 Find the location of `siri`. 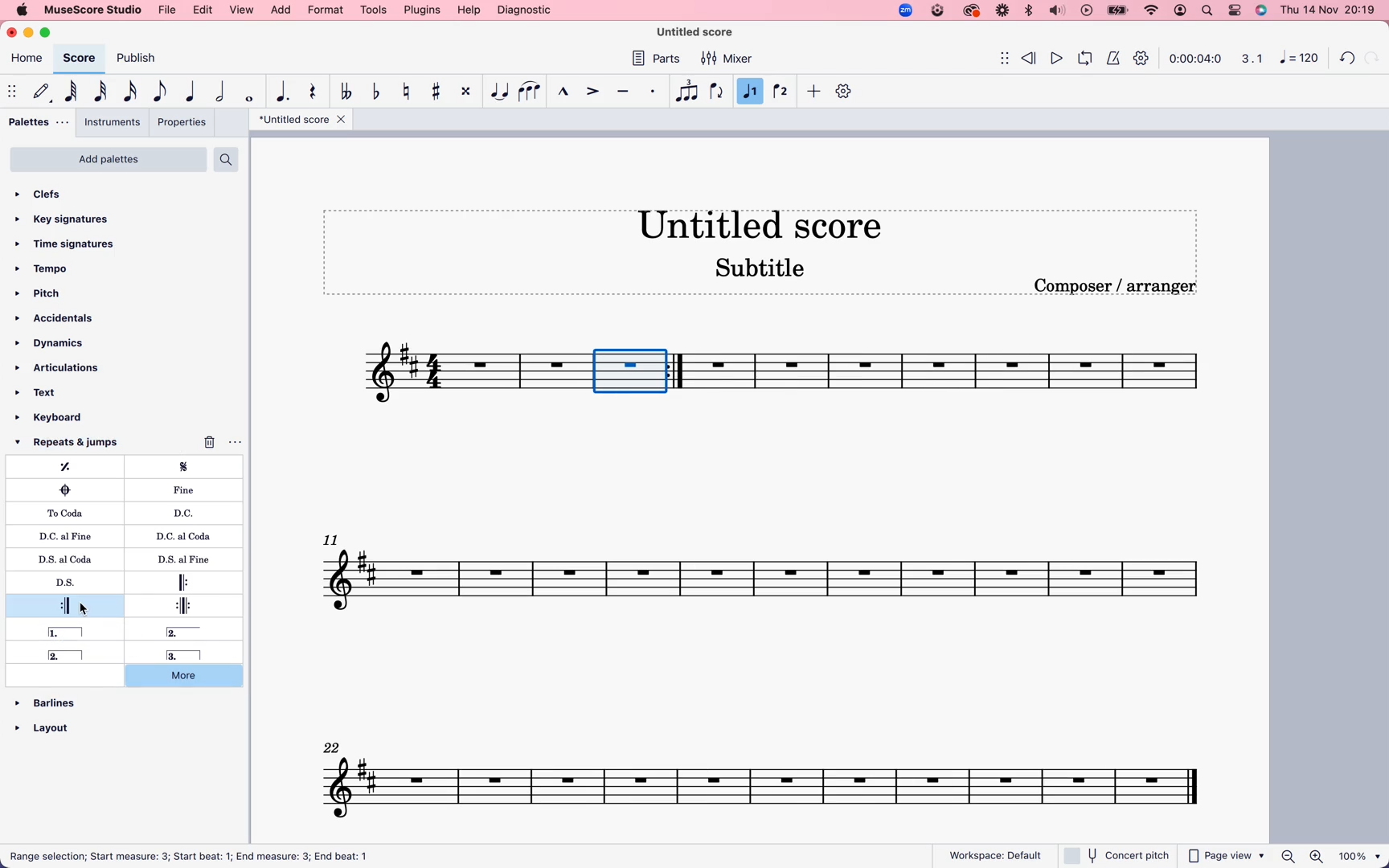

siri is located at coordinates (1259, 10).